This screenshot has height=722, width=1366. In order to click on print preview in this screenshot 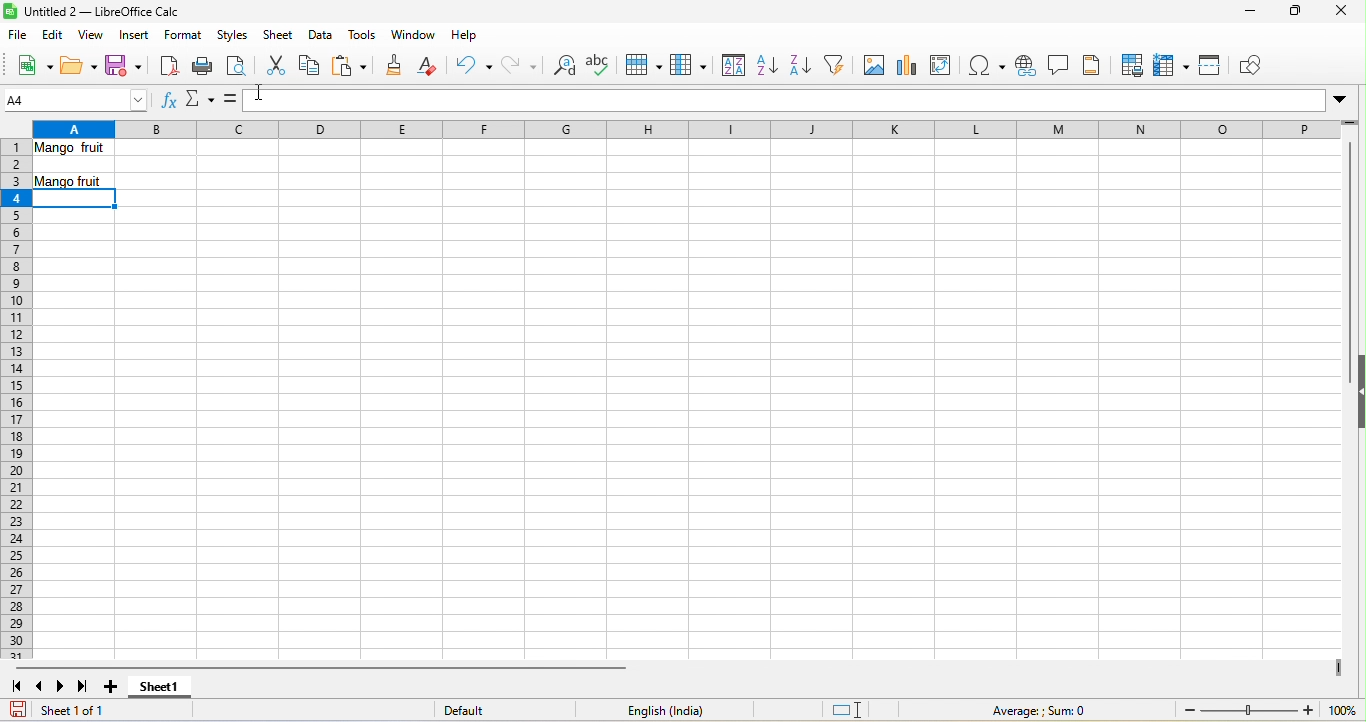, I will do `click(237, 66)`.